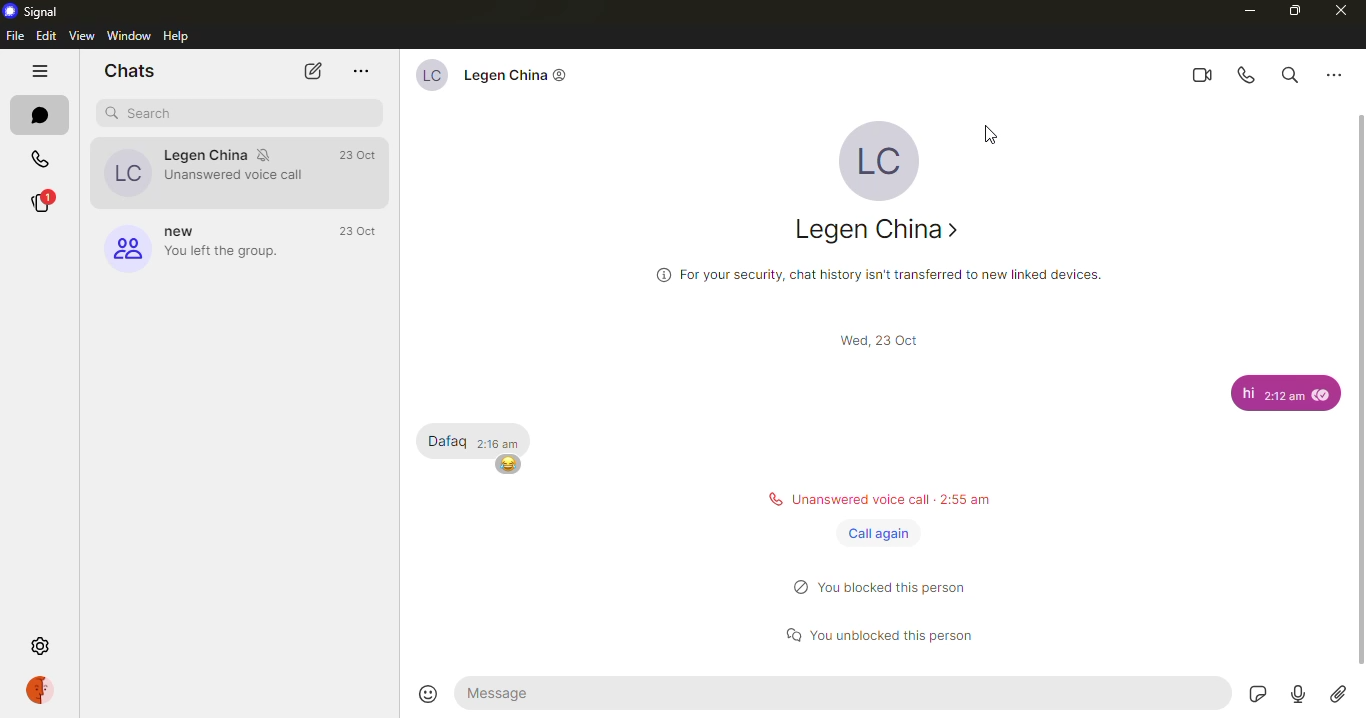  I want to click on profile, so click(46, 689).